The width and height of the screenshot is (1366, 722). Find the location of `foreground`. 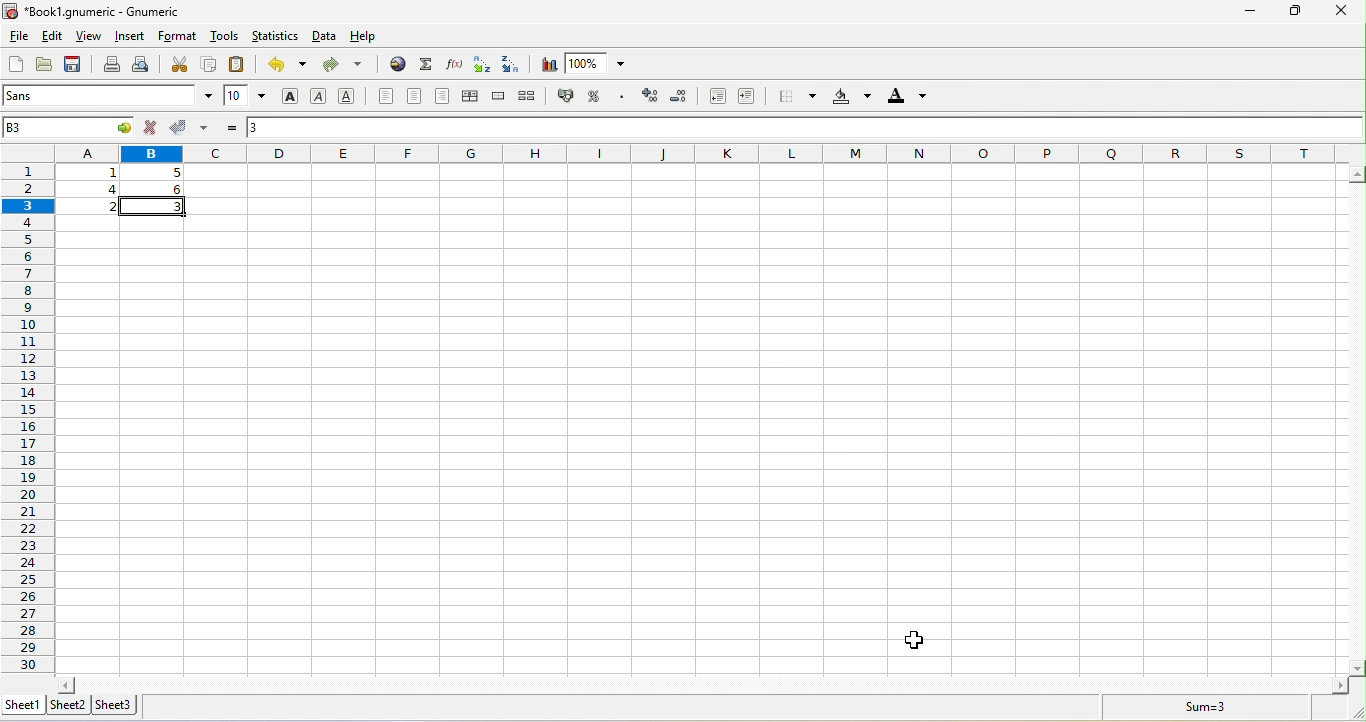

foreground is located at coordinates (905, 98).